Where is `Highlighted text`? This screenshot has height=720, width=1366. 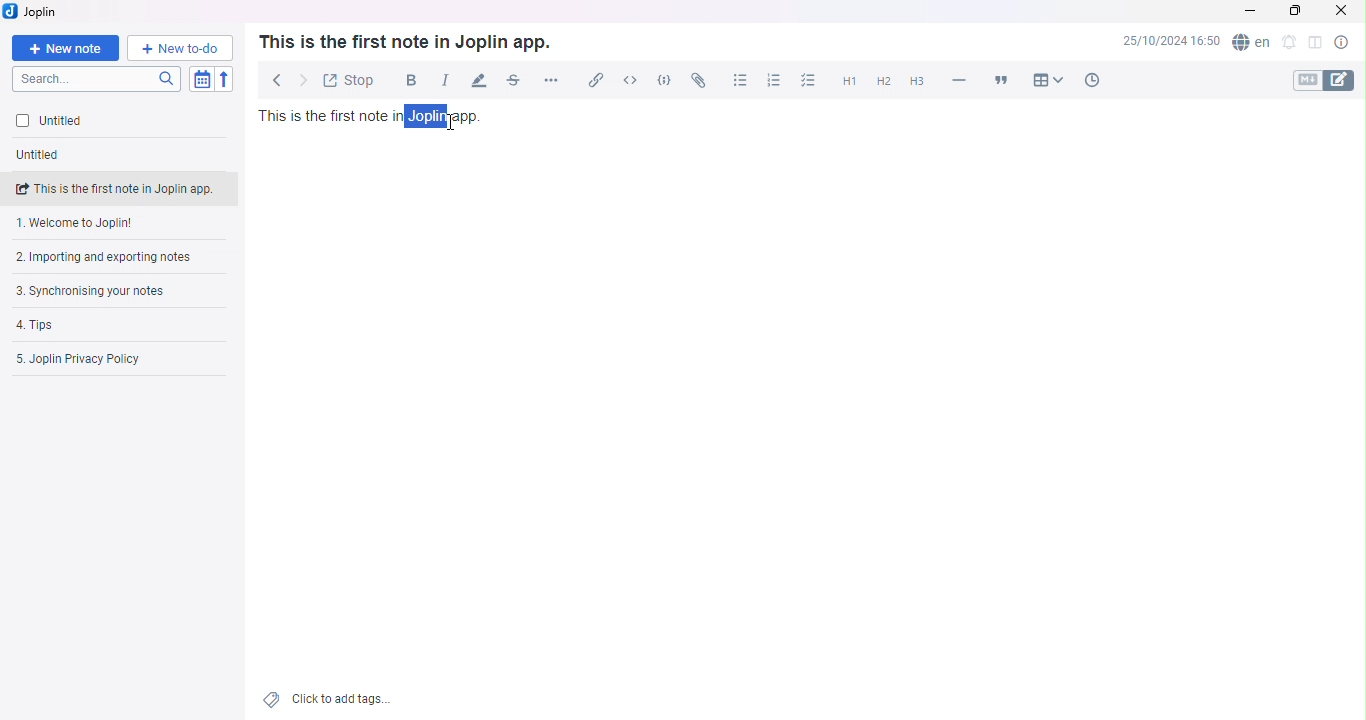
Highlighted text is located at coordinates (430, 116).